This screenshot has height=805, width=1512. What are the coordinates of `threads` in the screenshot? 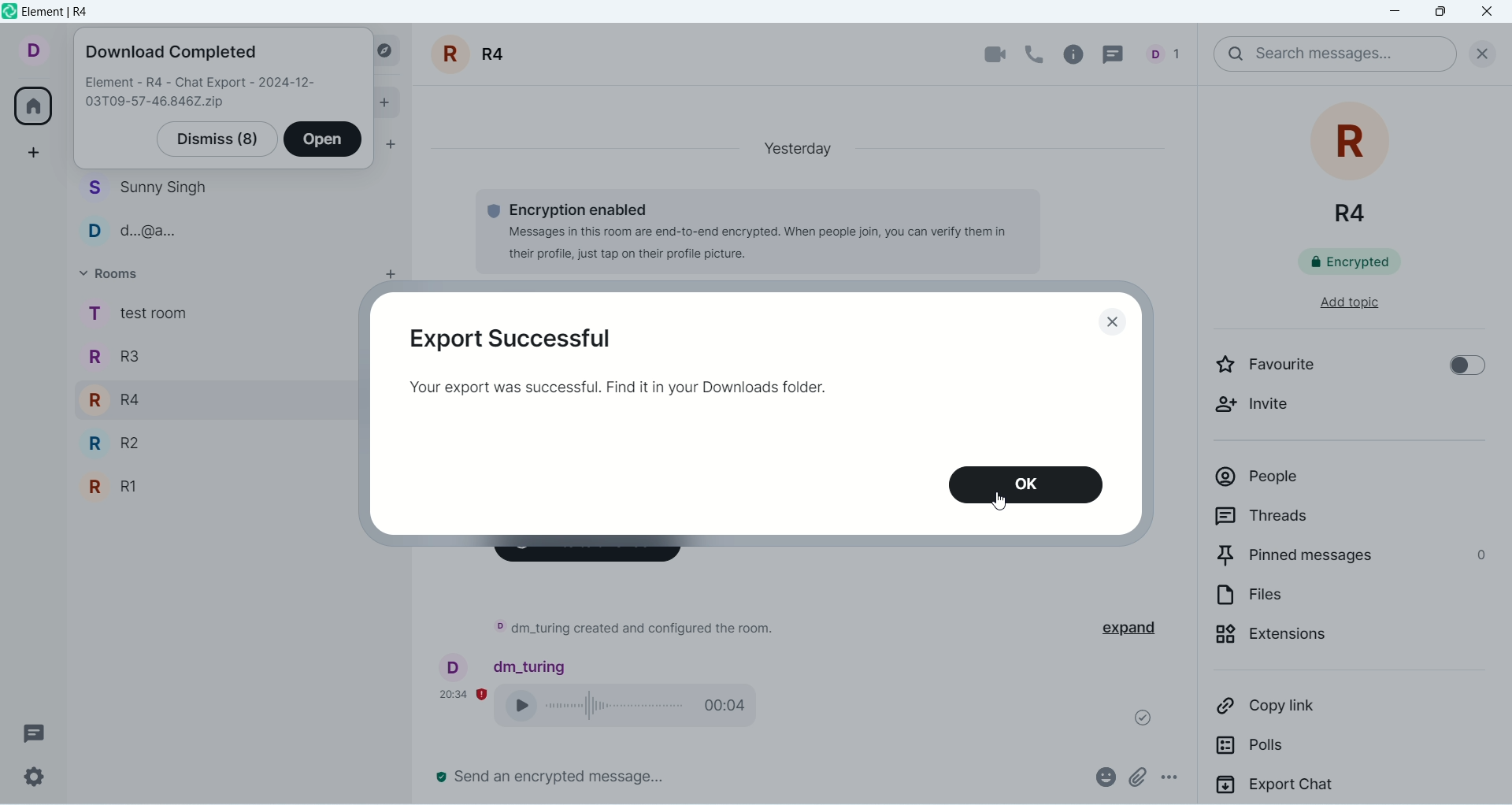 It's located at (1321, 519).